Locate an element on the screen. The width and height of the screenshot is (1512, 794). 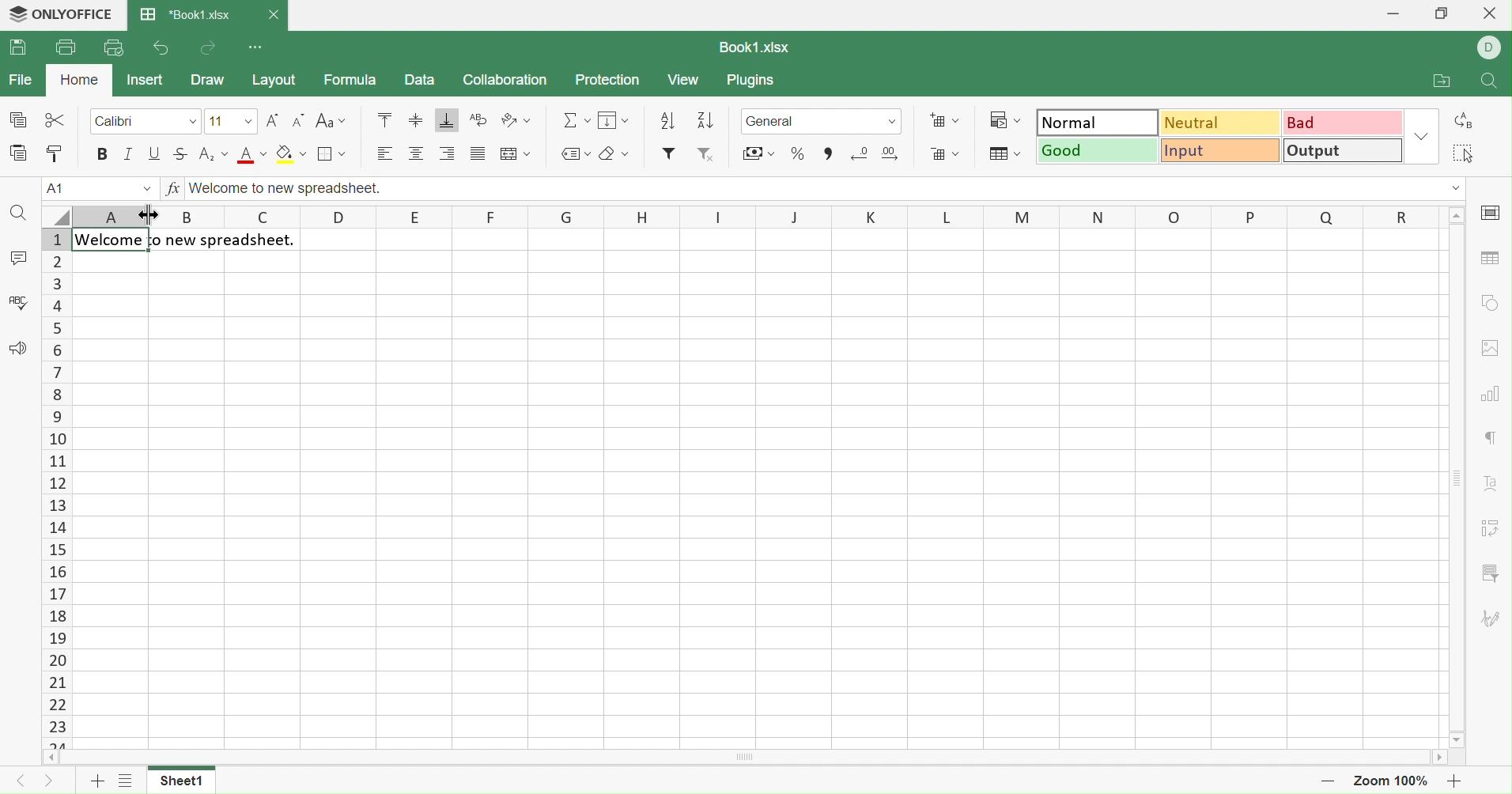
Decrease decimal is located at coordinates (860, 152).